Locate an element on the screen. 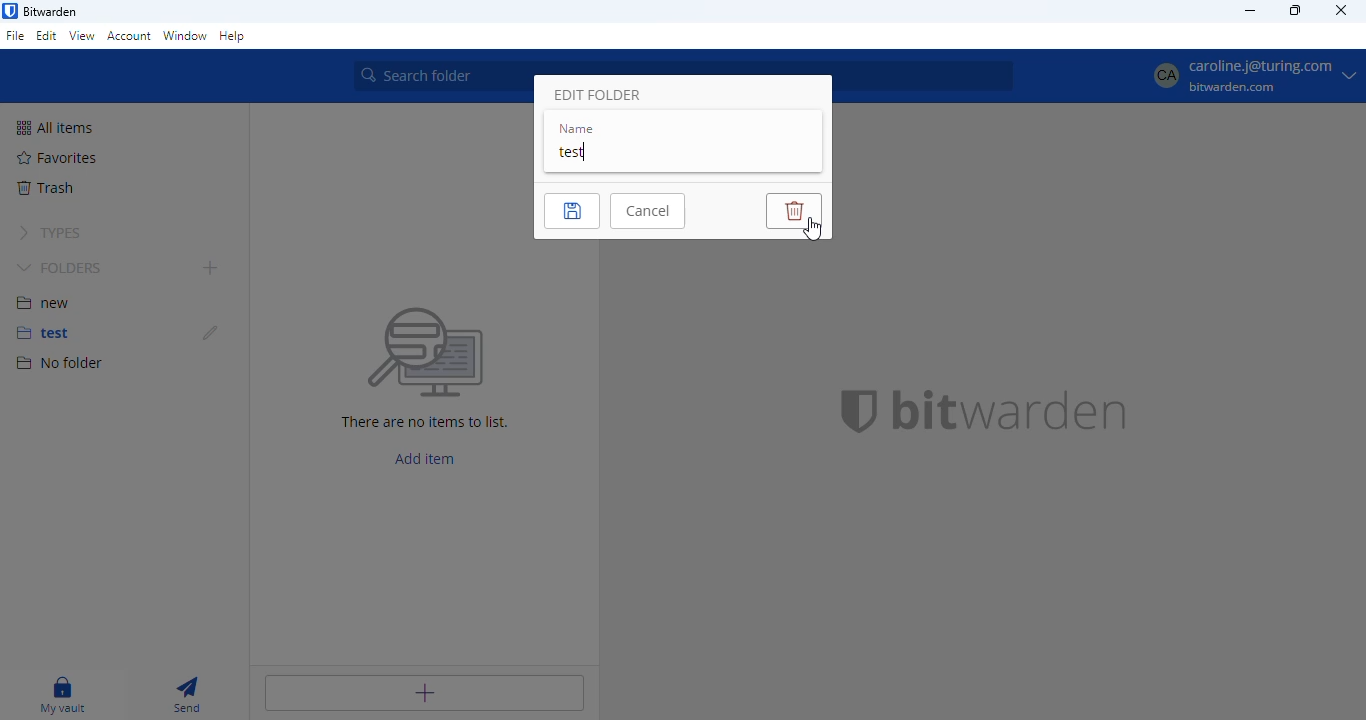  logo is located at coordinates (10, 11).